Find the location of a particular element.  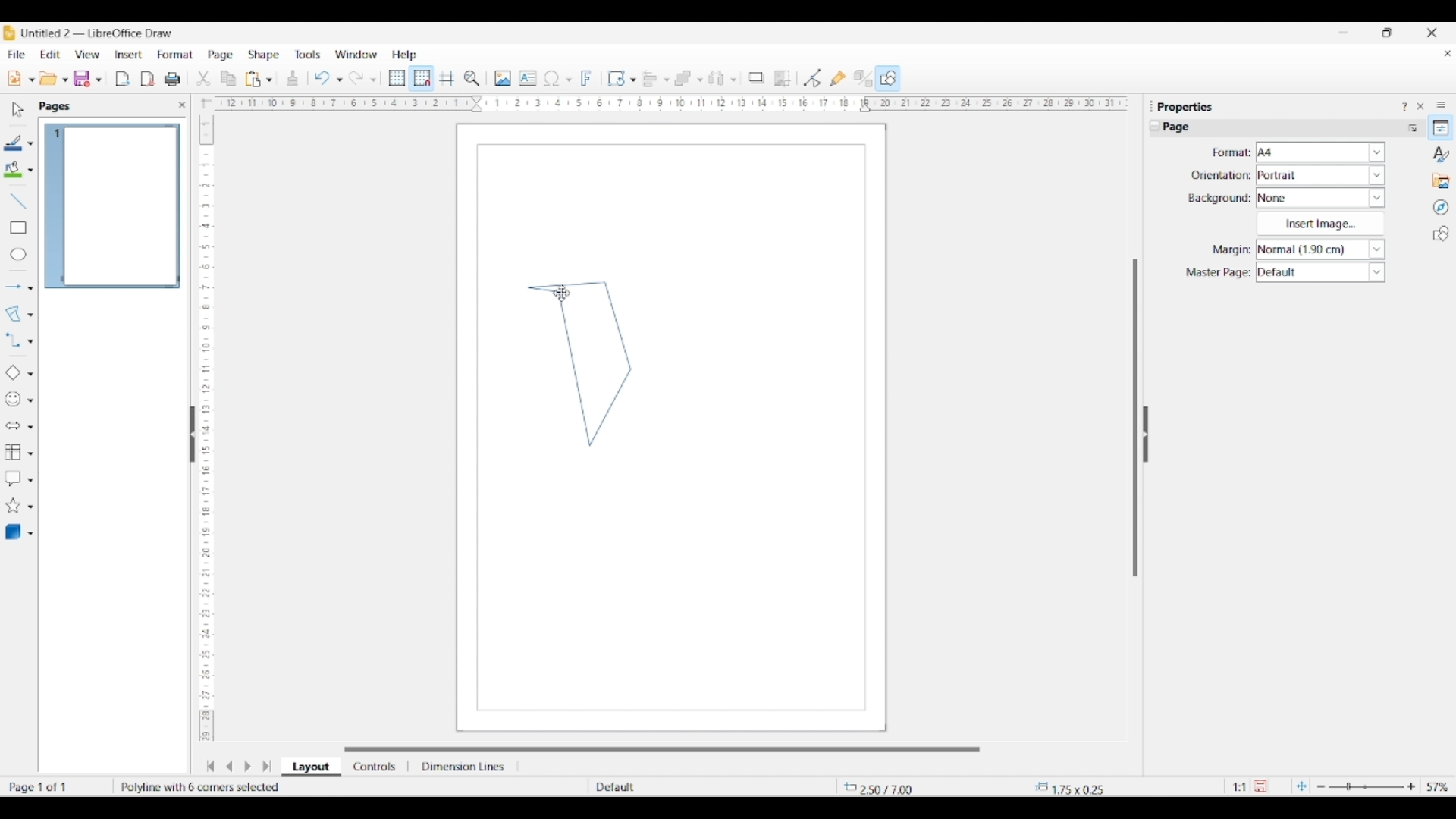

Project and software name is located at coordinates (98, 33).